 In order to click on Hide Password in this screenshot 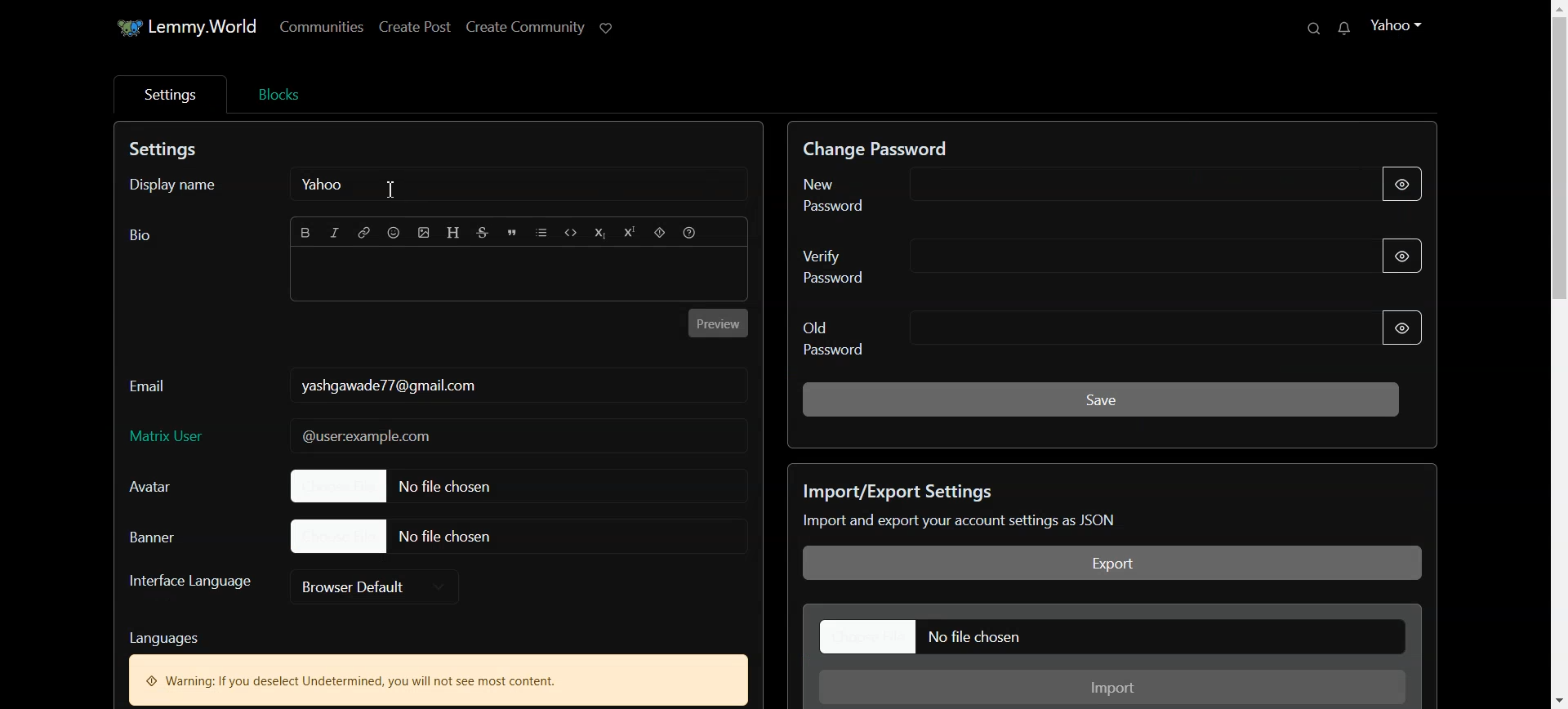, I will do `click(1405, 185)`.